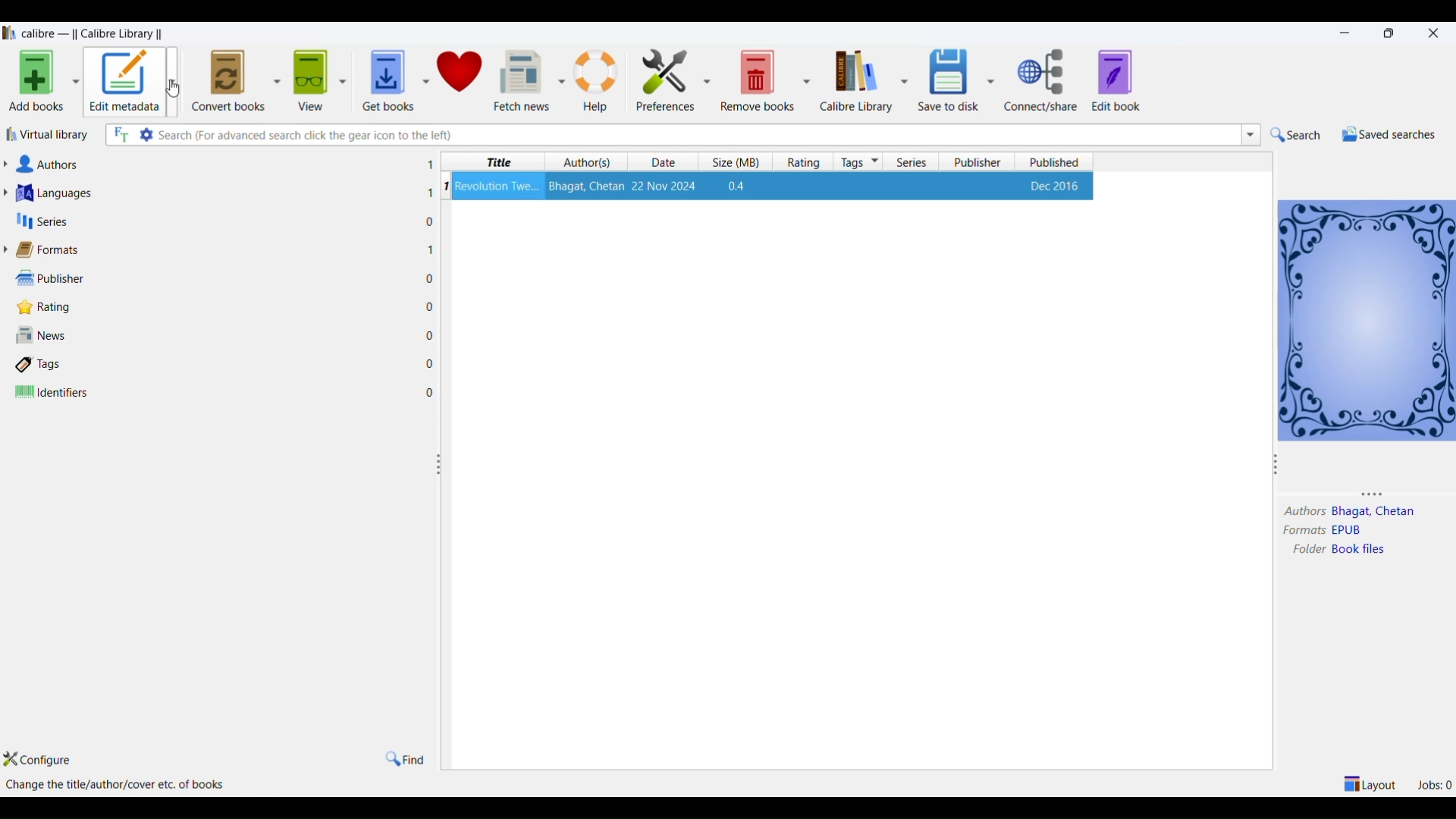 This screenshot has width=1456, height=819. I want to click on layout, so click(1371, 783).